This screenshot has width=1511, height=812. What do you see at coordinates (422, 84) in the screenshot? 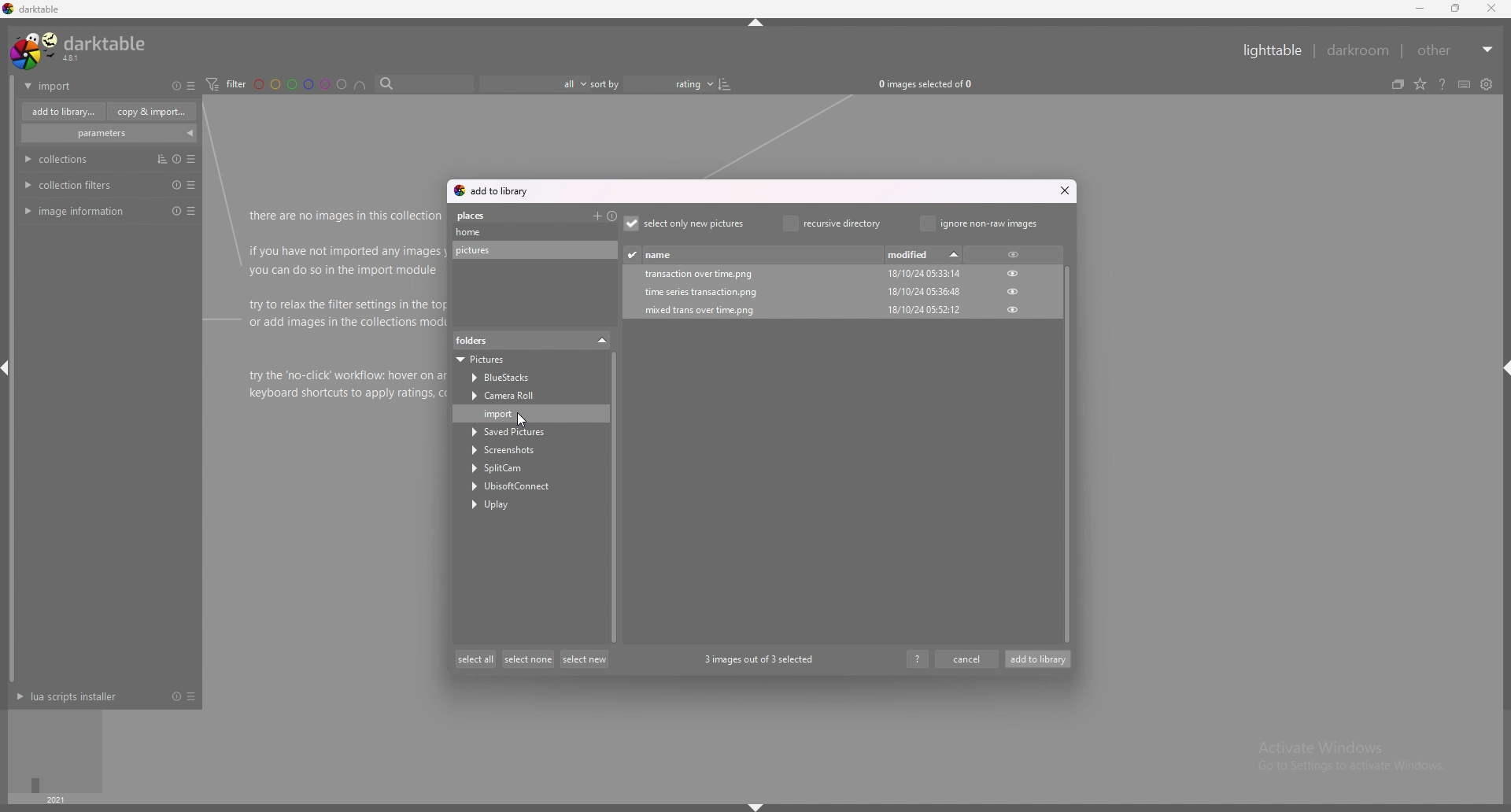
I see `search bar` at bounding box center [422, 84].